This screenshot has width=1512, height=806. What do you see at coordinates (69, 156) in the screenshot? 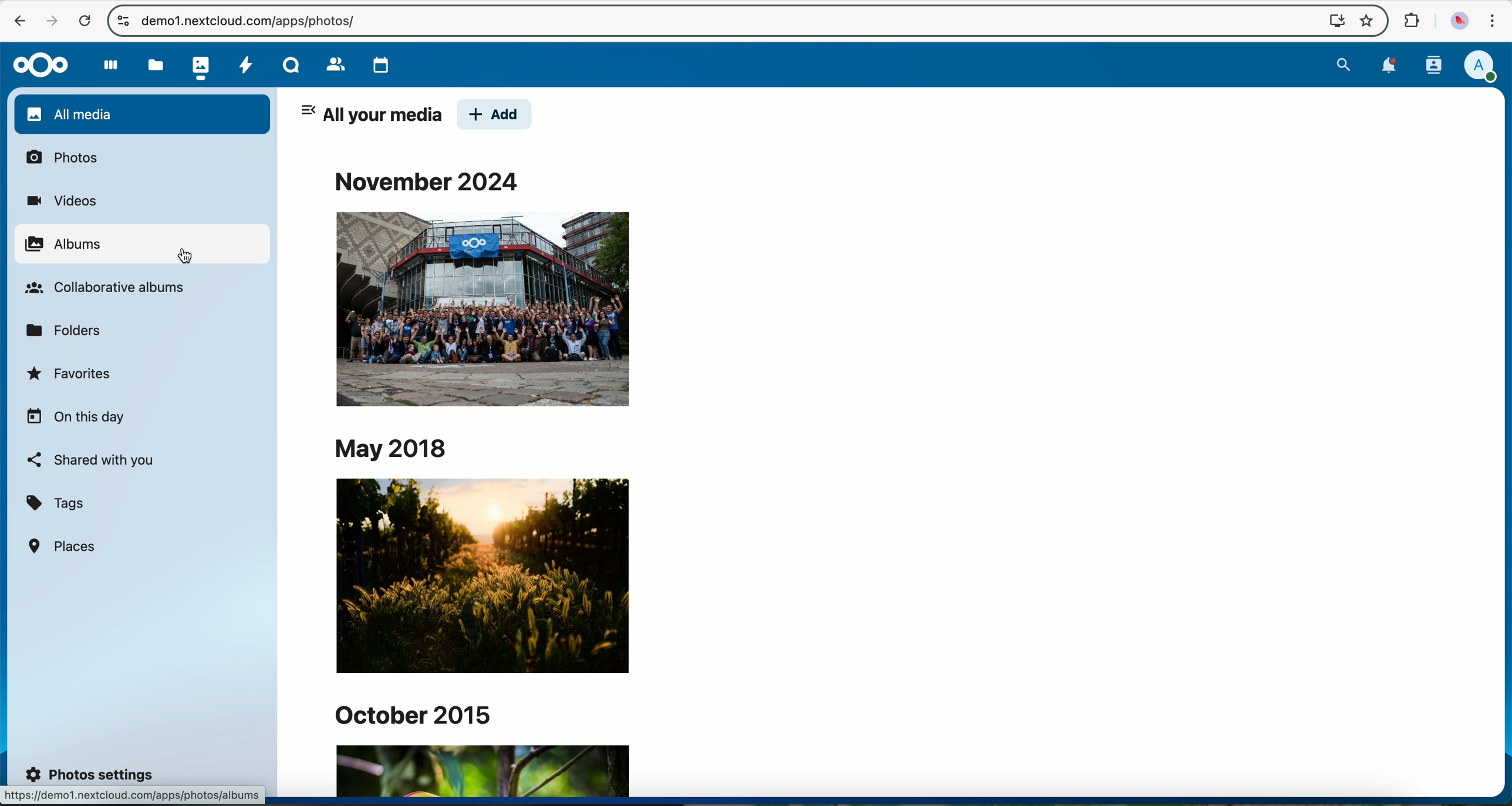
I see `photos` at bounding box center [69, 156].